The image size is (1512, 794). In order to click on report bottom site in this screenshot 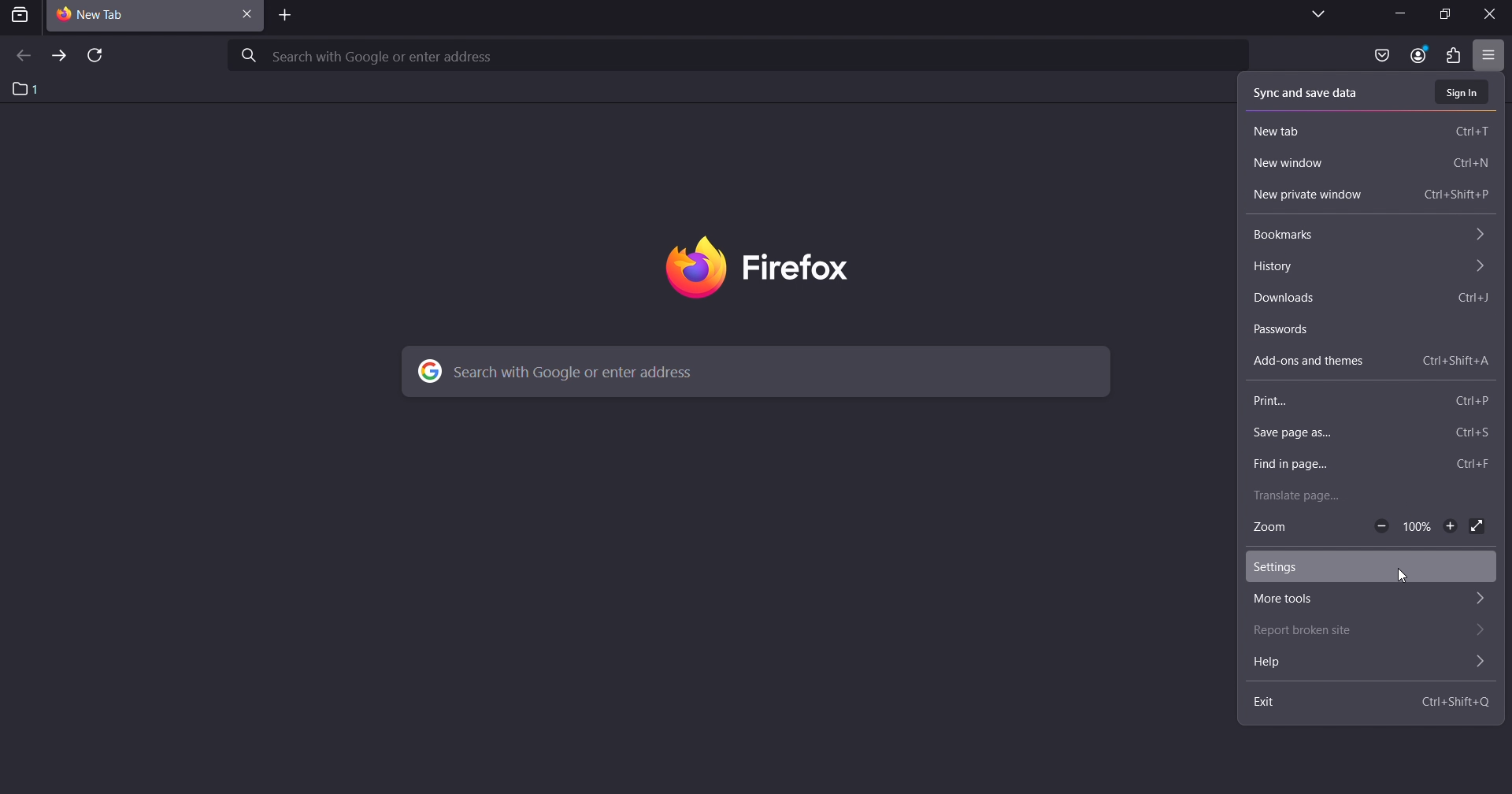, I will do `click(1362, 629)`.